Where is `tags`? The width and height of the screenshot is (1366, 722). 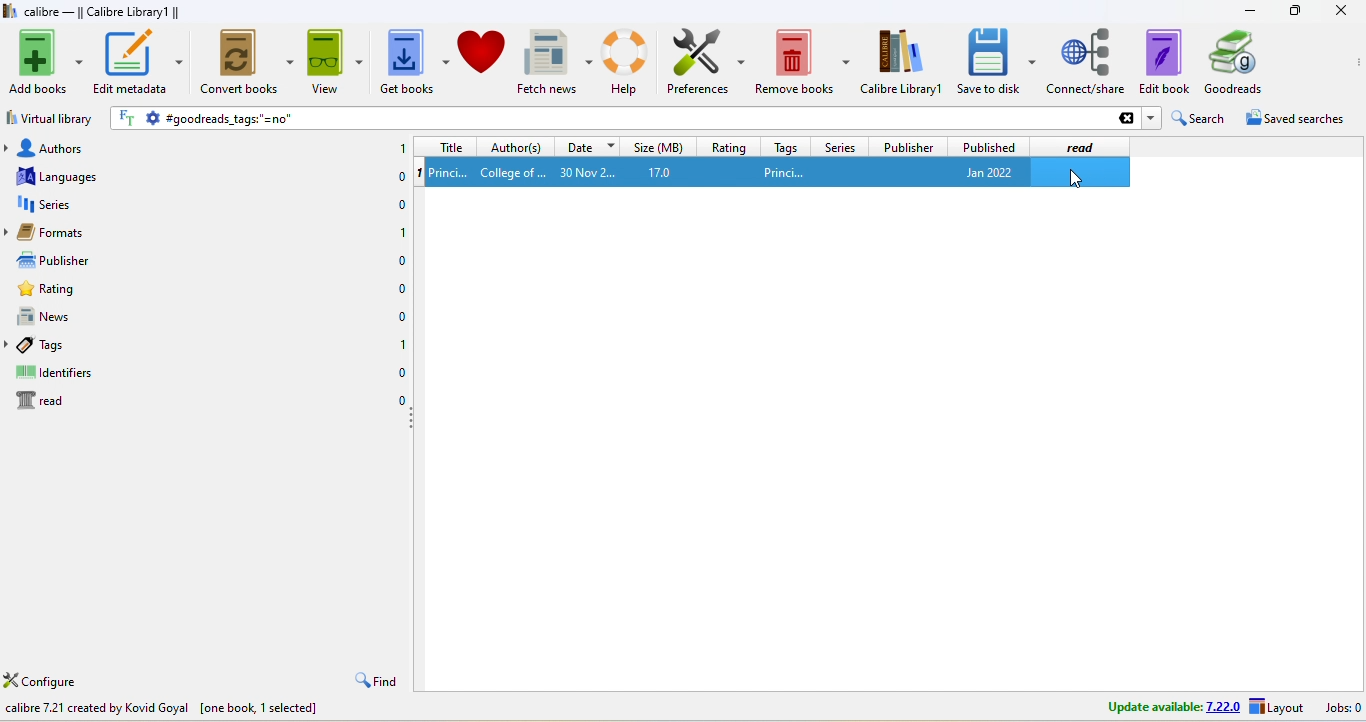
tags is located at coordinates (787, 147).